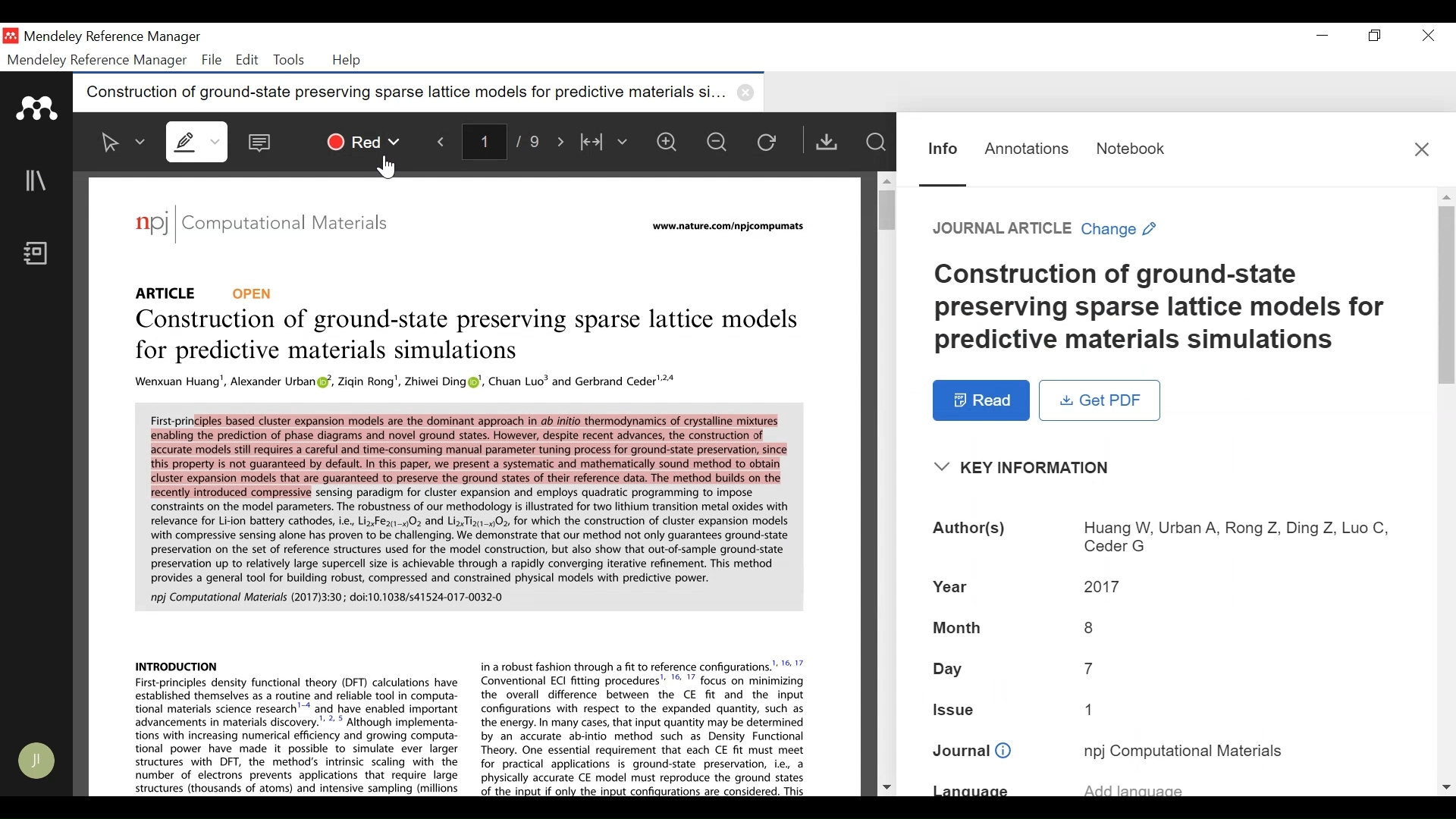 The image size is (1456, 819). Describe the element at coordinates (607, 142) in the screenshot. I see `Fit to Width` at that location.